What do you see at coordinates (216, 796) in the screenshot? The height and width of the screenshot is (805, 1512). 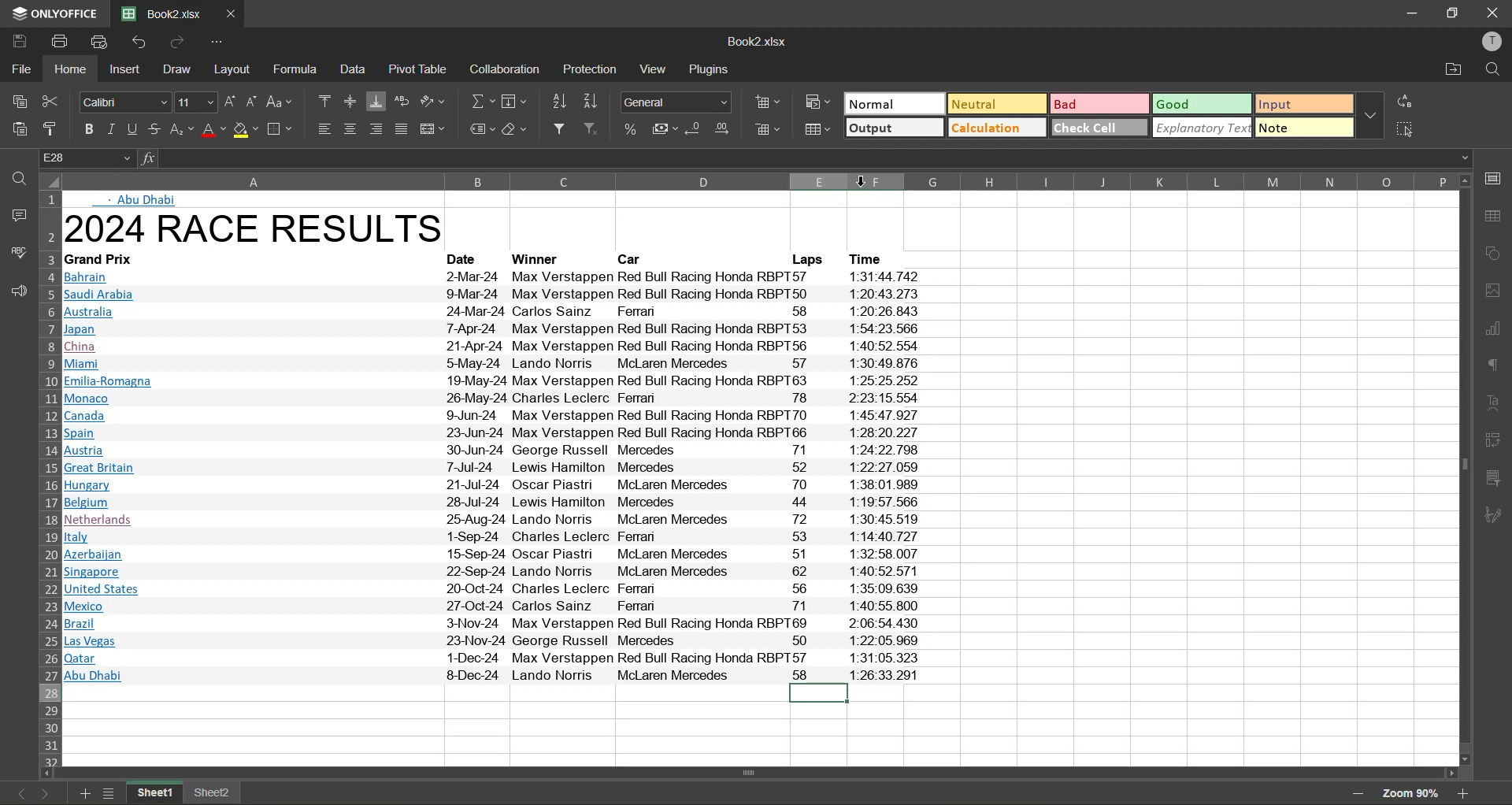 I see `sheet2 ` at bounding box center [216, 796].